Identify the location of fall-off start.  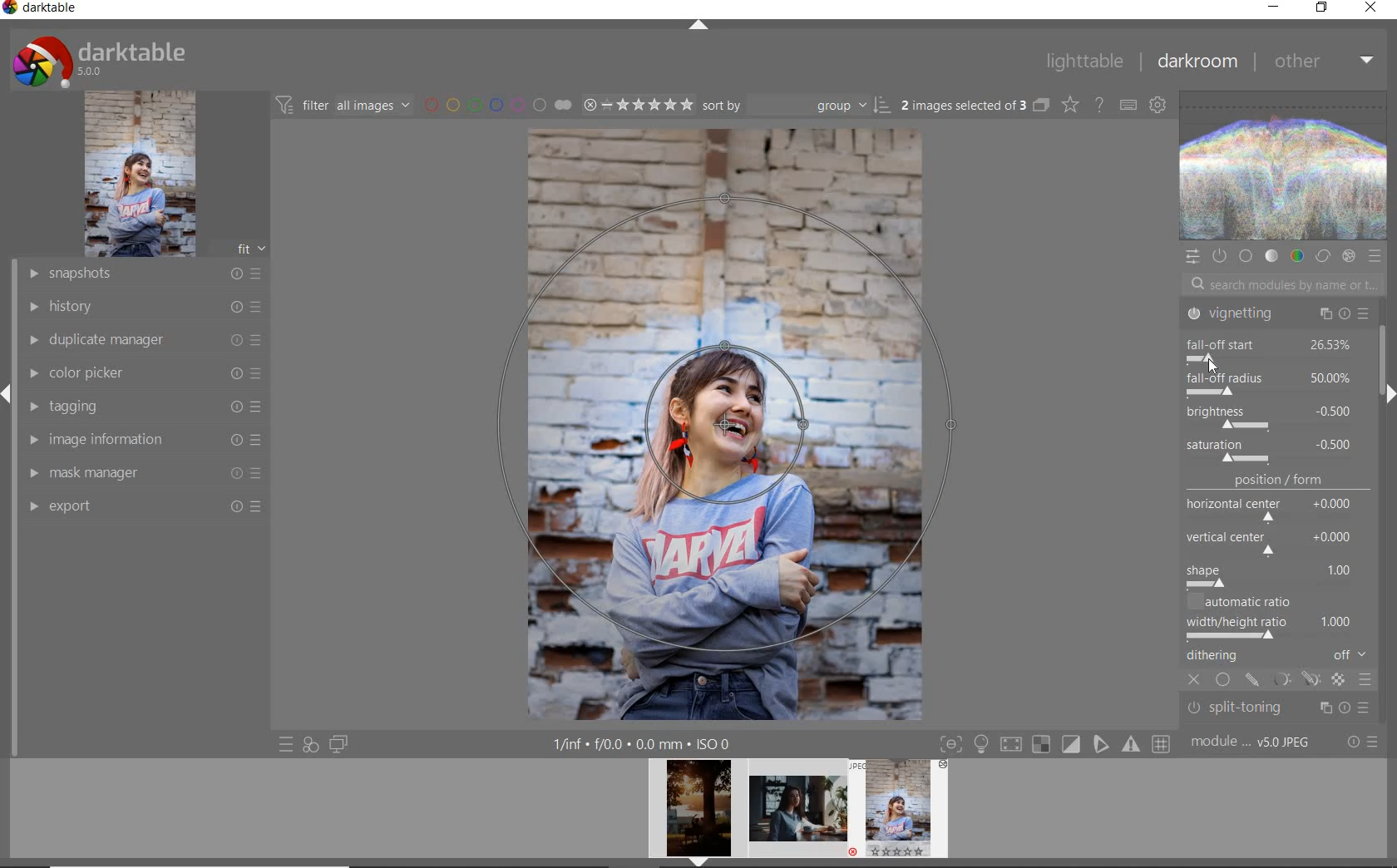
(1275, 348).